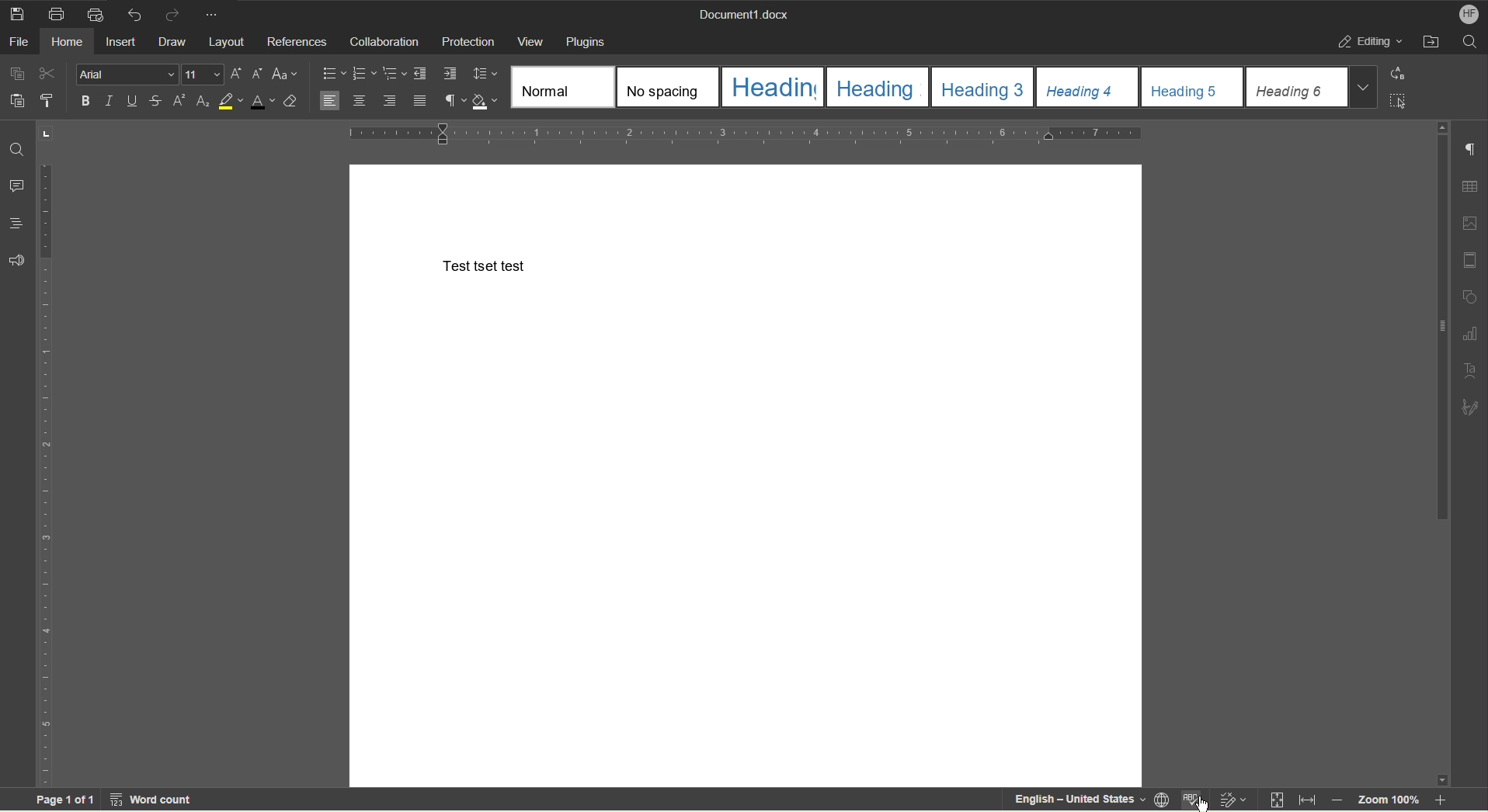  Describe the element at coordinates (564, 86) in the screenshot. I see `Normal` at that location.